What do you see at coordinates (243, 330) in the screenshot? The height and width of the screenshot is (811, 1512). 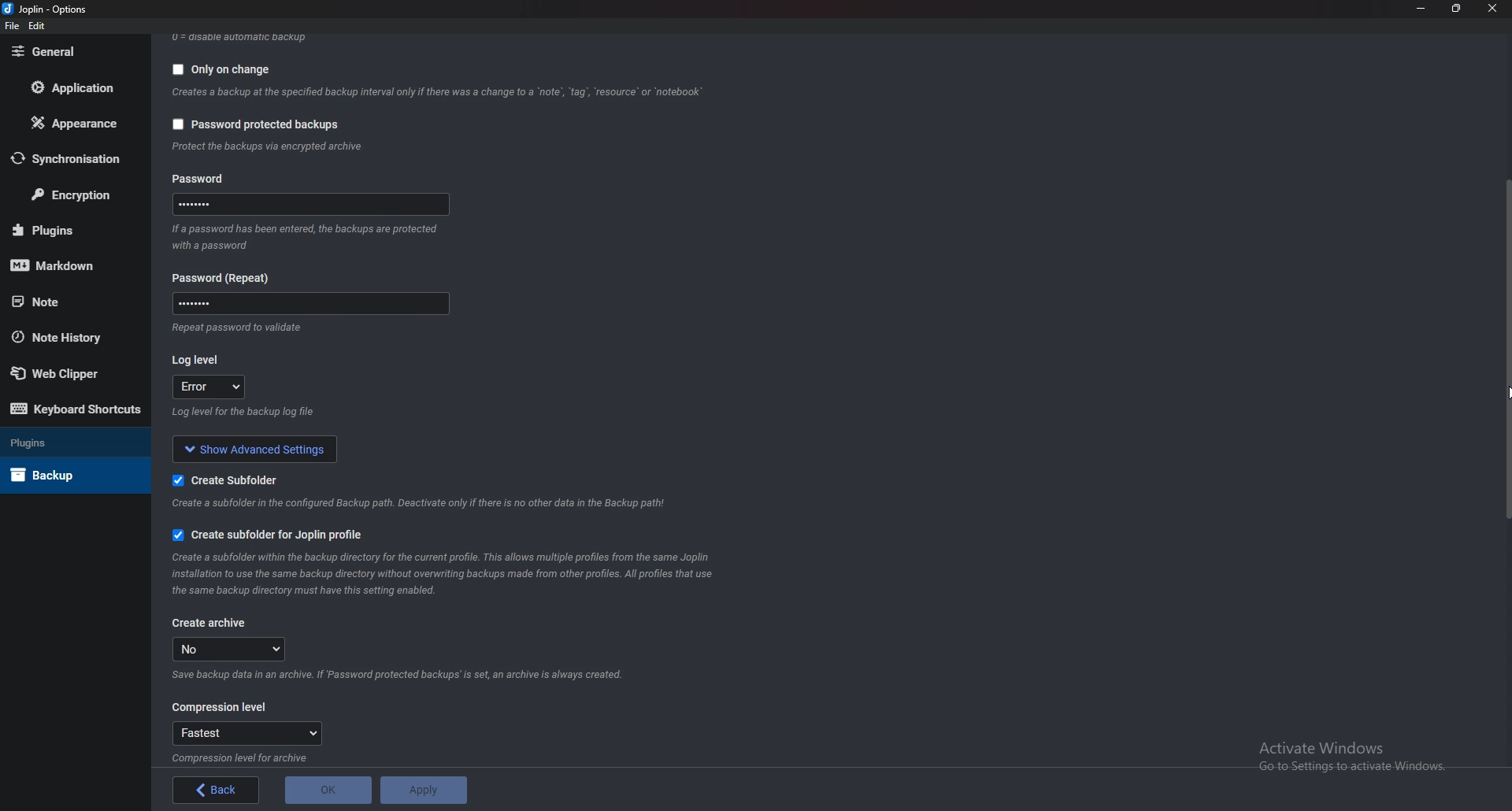 I see `Info on password` at bounding box center [243, 330].